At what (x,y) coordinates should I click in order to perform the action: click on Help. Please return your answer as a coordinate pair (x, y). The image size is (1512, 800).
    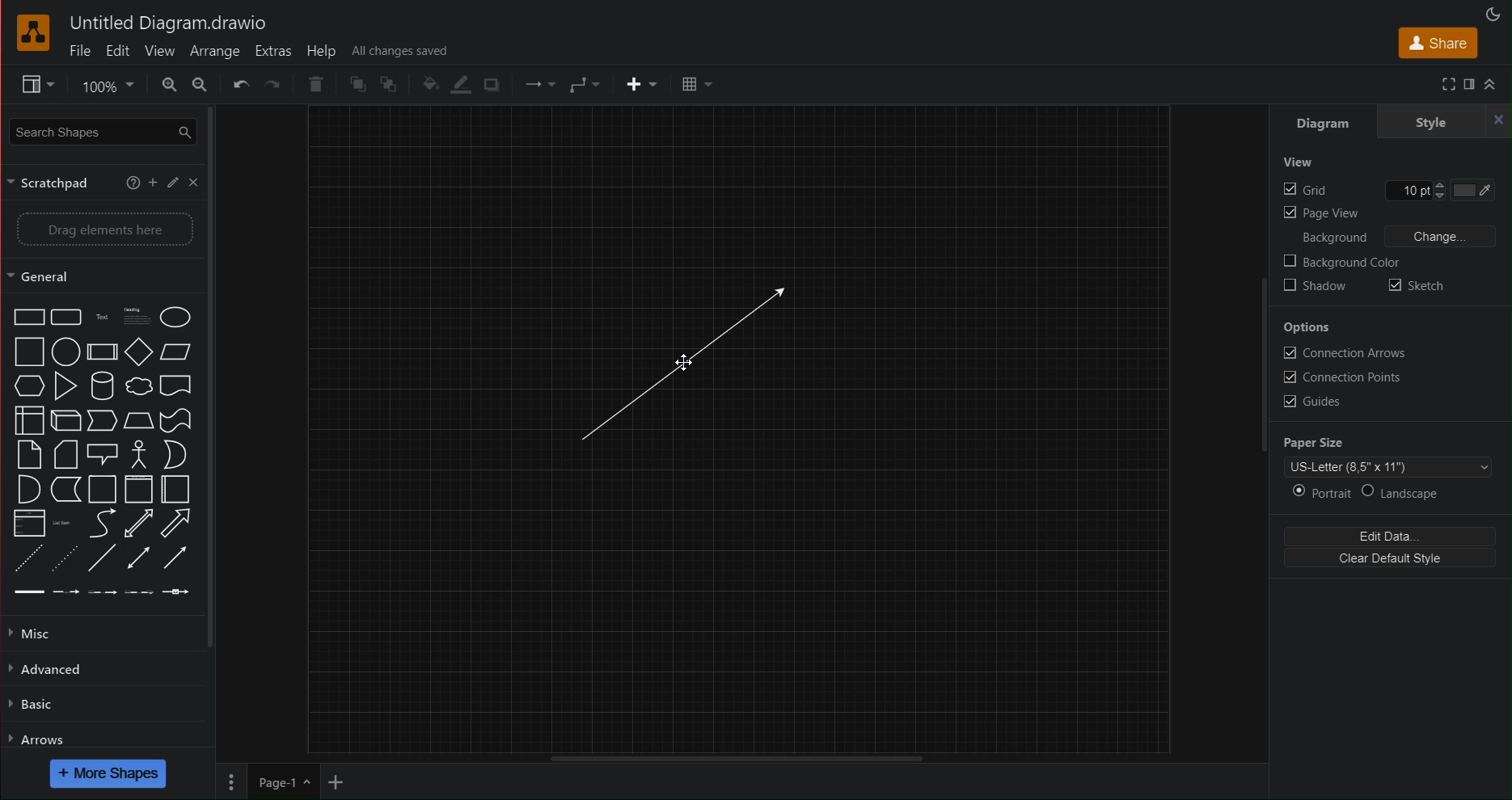
    Looking at the image, I should click on (133, 179).